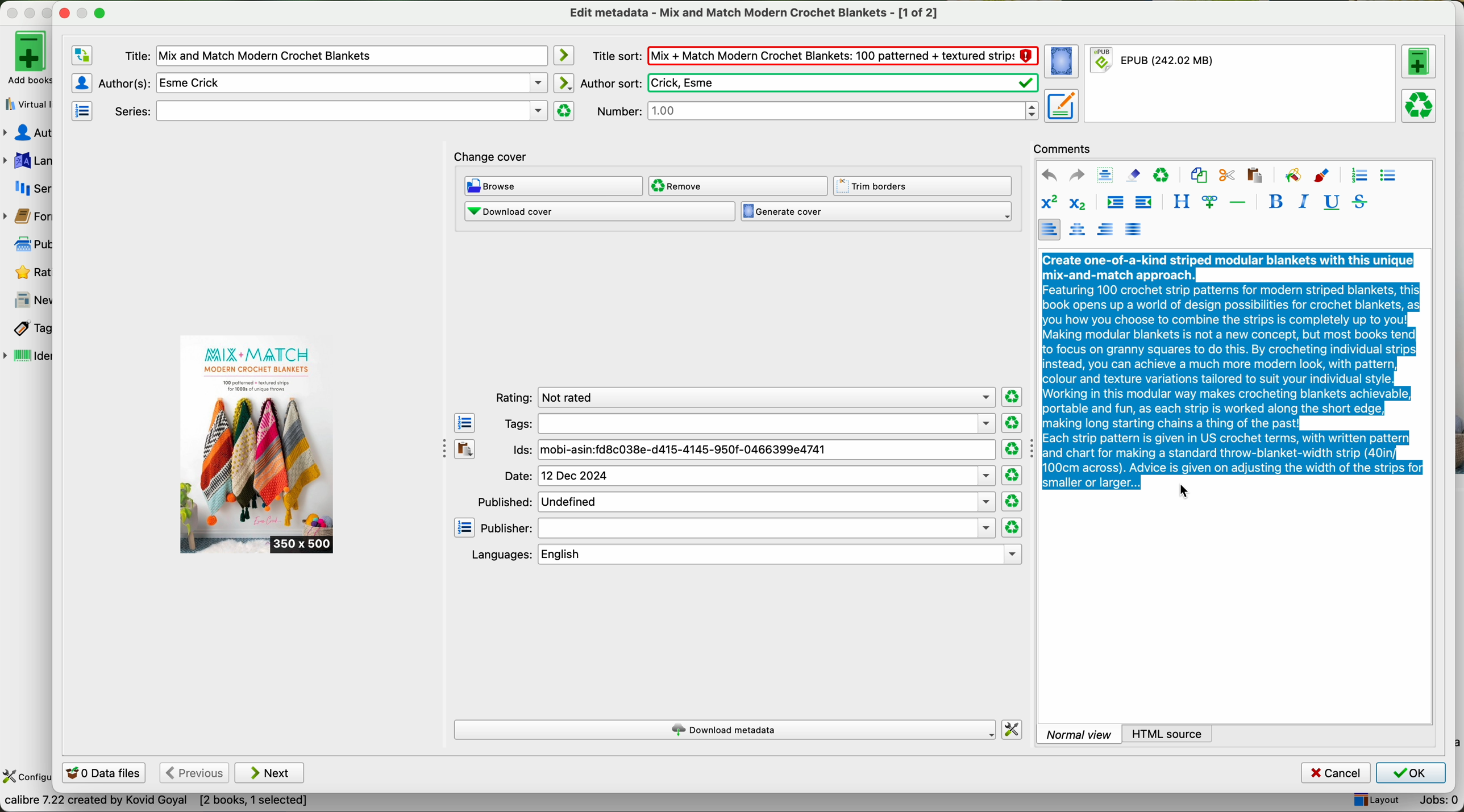 Image resolution: width=1464 pixels, height=812 pixels. I want to click on three dots, so click(439, 447).